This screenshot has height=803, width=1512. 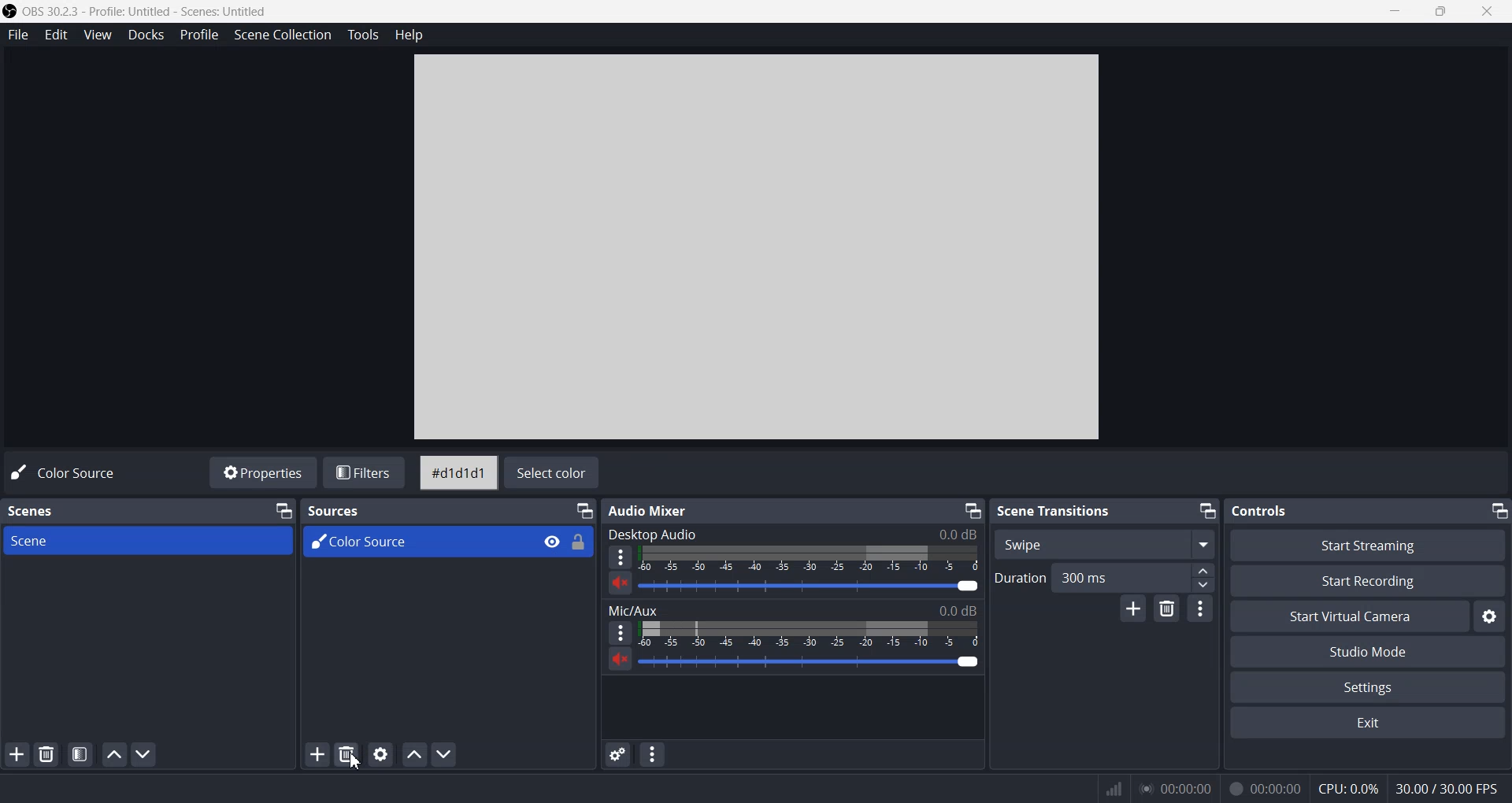 I want to click on Color Source, so click(x=71, y=472).